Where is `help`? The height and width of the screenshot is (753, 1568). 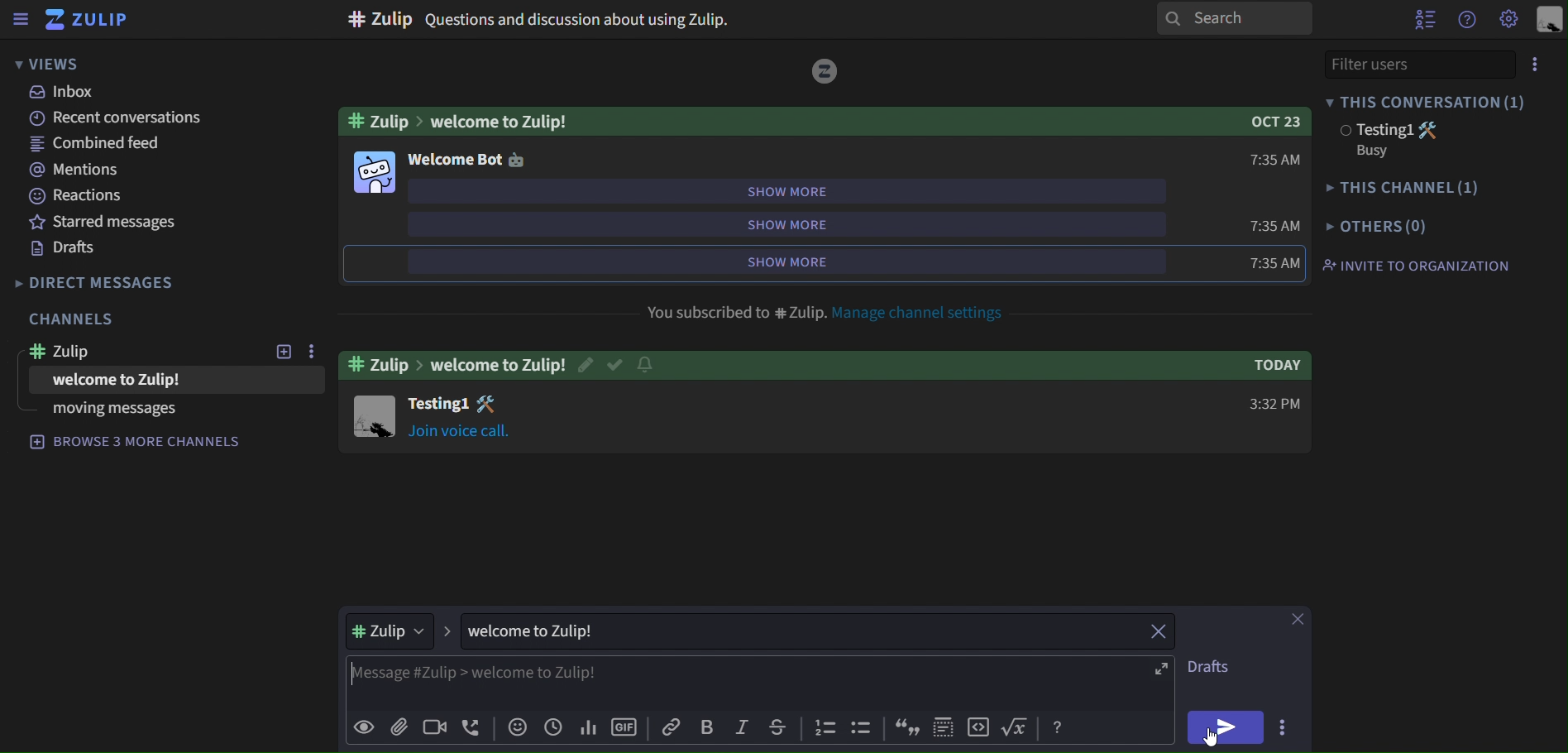
help is located at coordinates (1468, 22).